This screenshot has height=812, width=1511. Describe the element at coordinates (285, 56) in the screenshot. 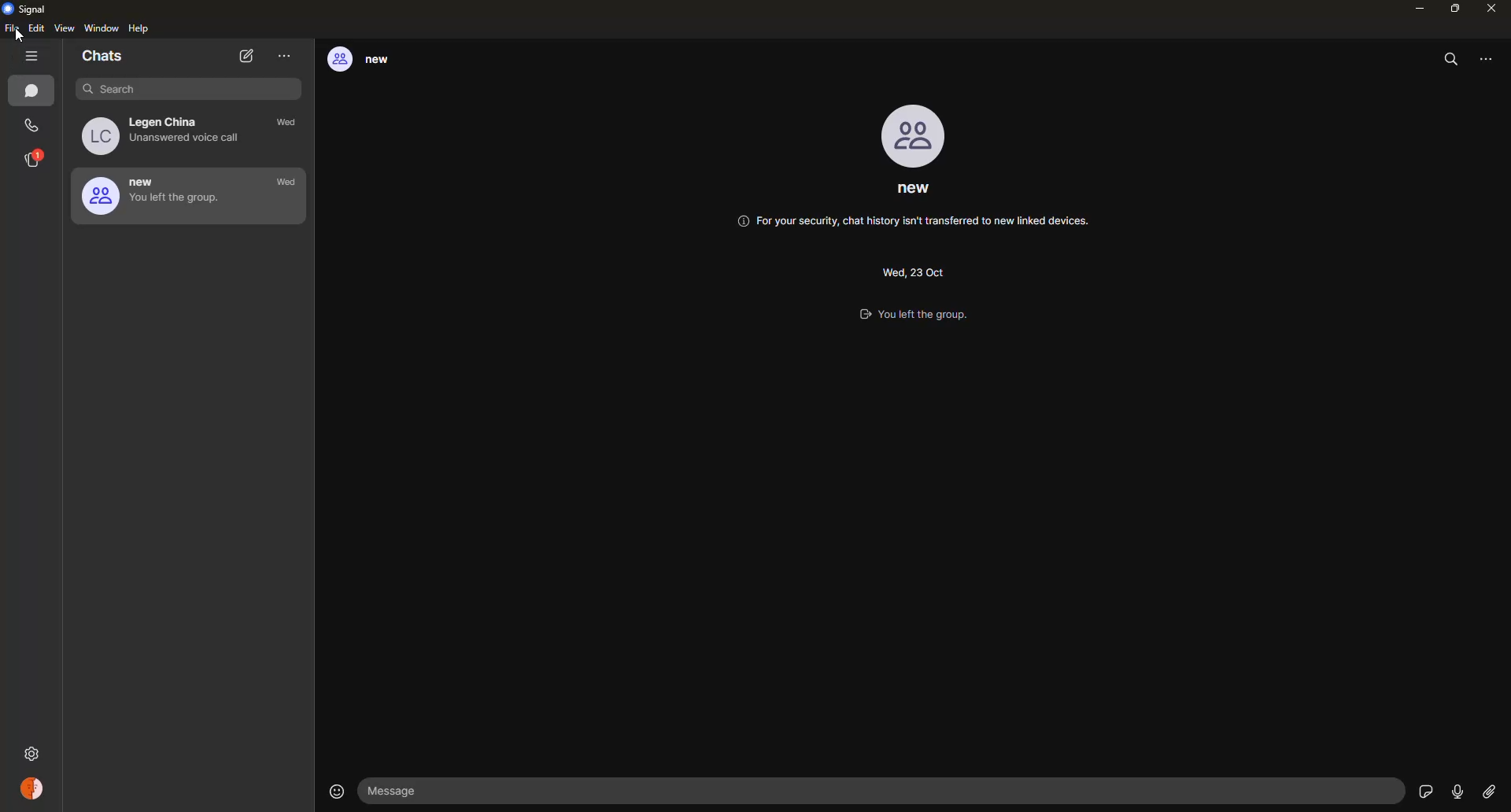

I see `more` at that location.